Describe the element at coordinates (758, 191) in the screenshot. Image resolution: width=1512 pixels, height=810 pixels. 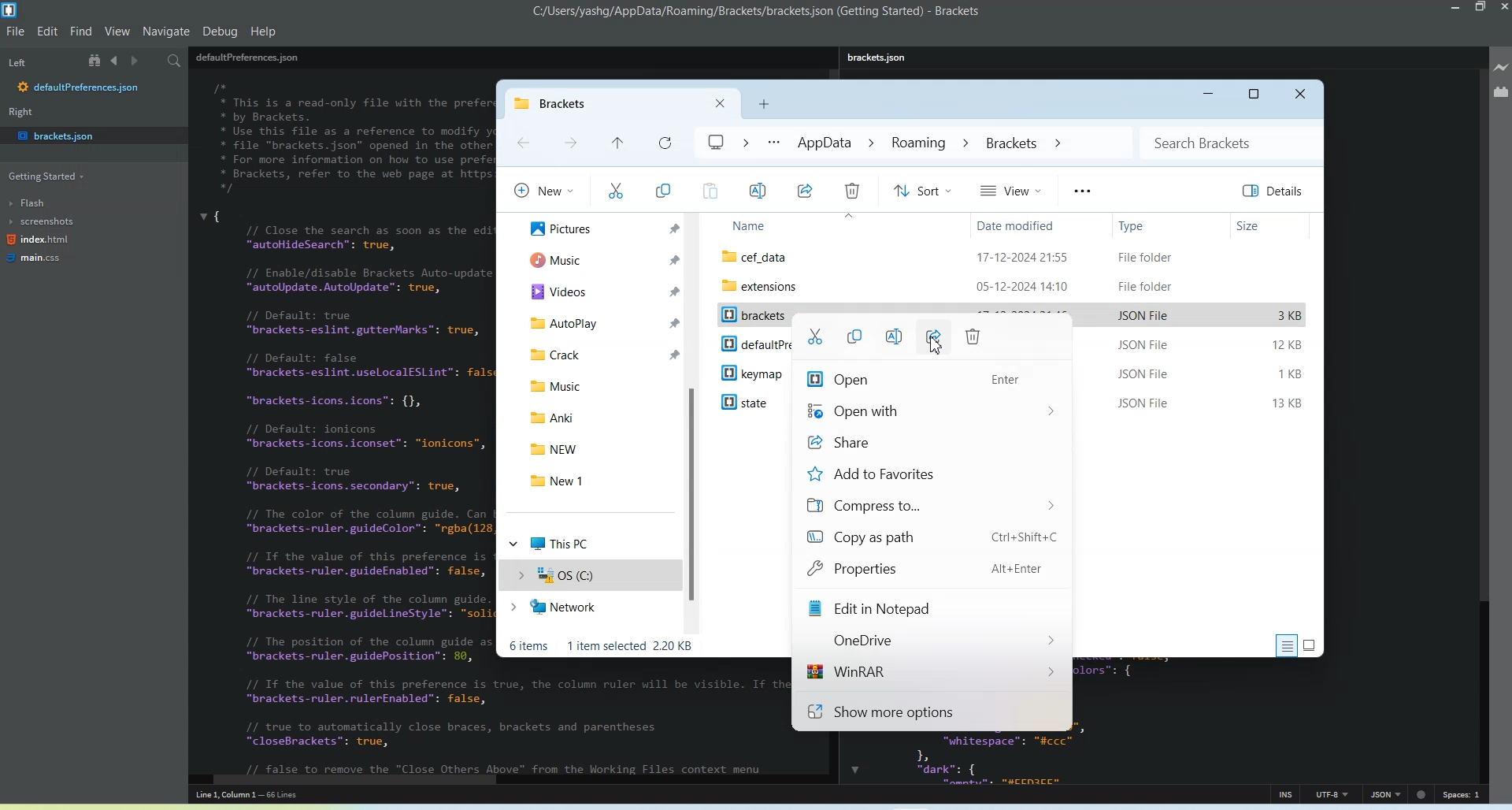
I see `Rename` at that location.